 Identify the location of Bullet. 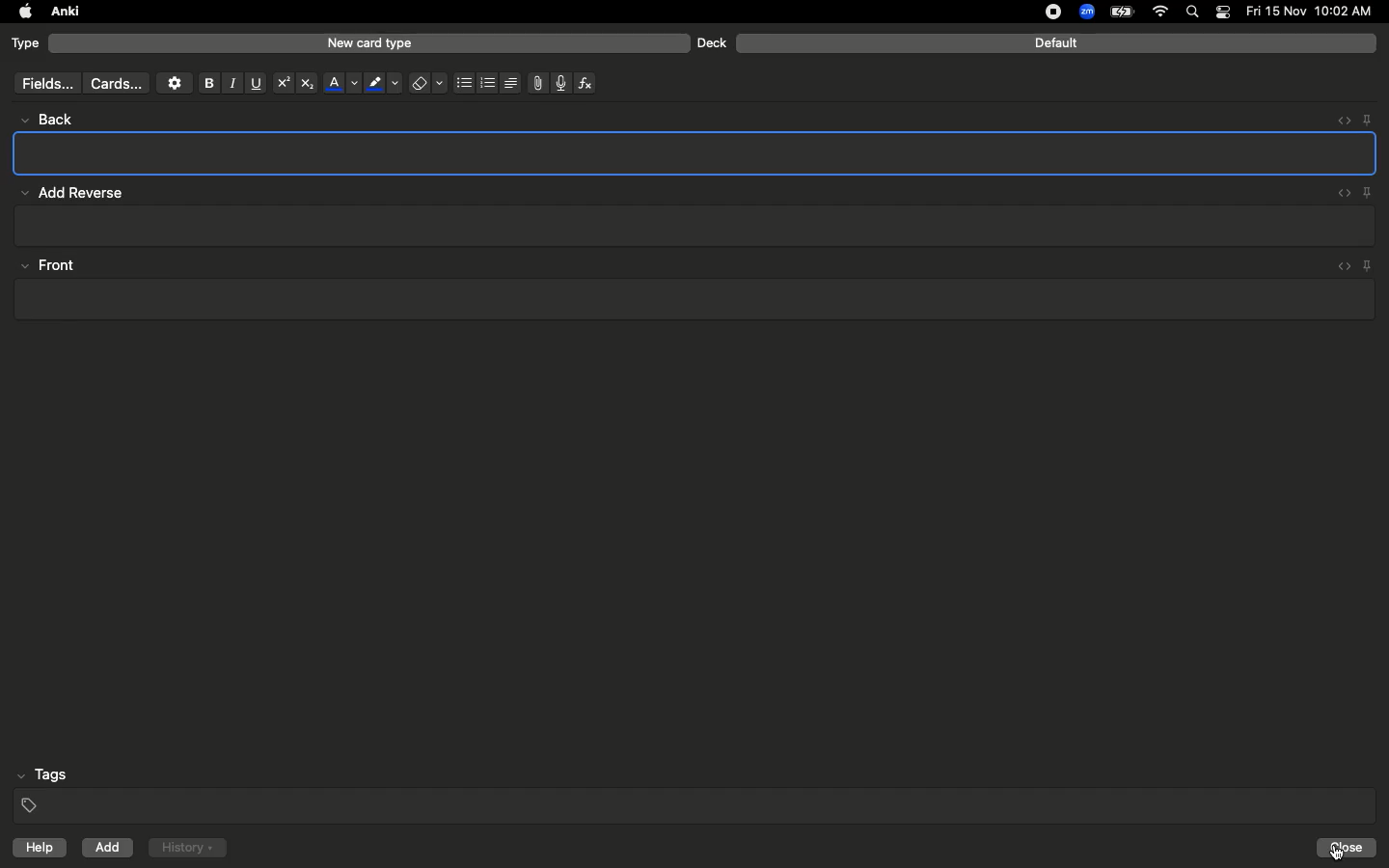
(463, 83).